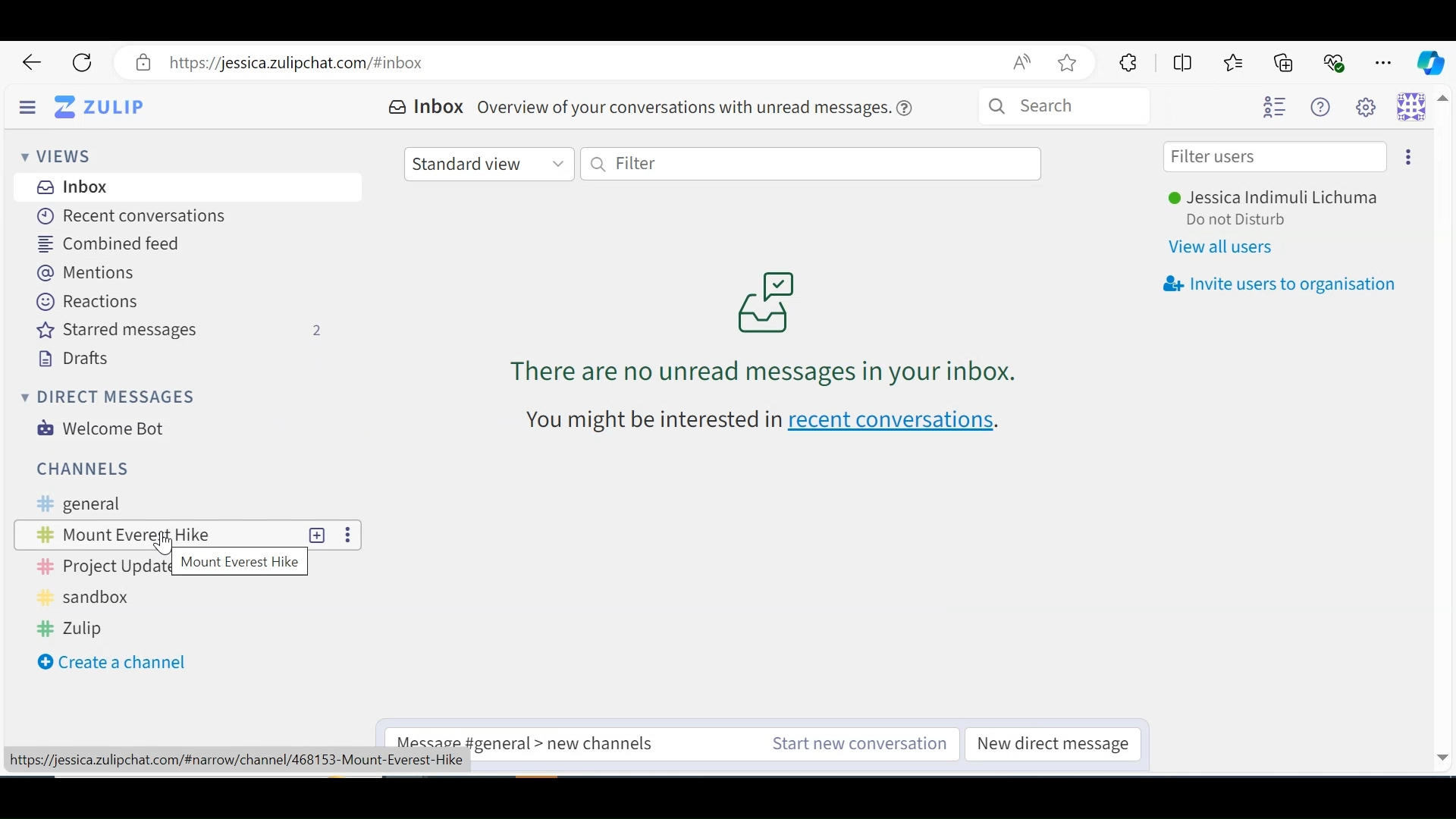 This screenshot has height=819, width=1456. I want to click on , so click(235, 762).